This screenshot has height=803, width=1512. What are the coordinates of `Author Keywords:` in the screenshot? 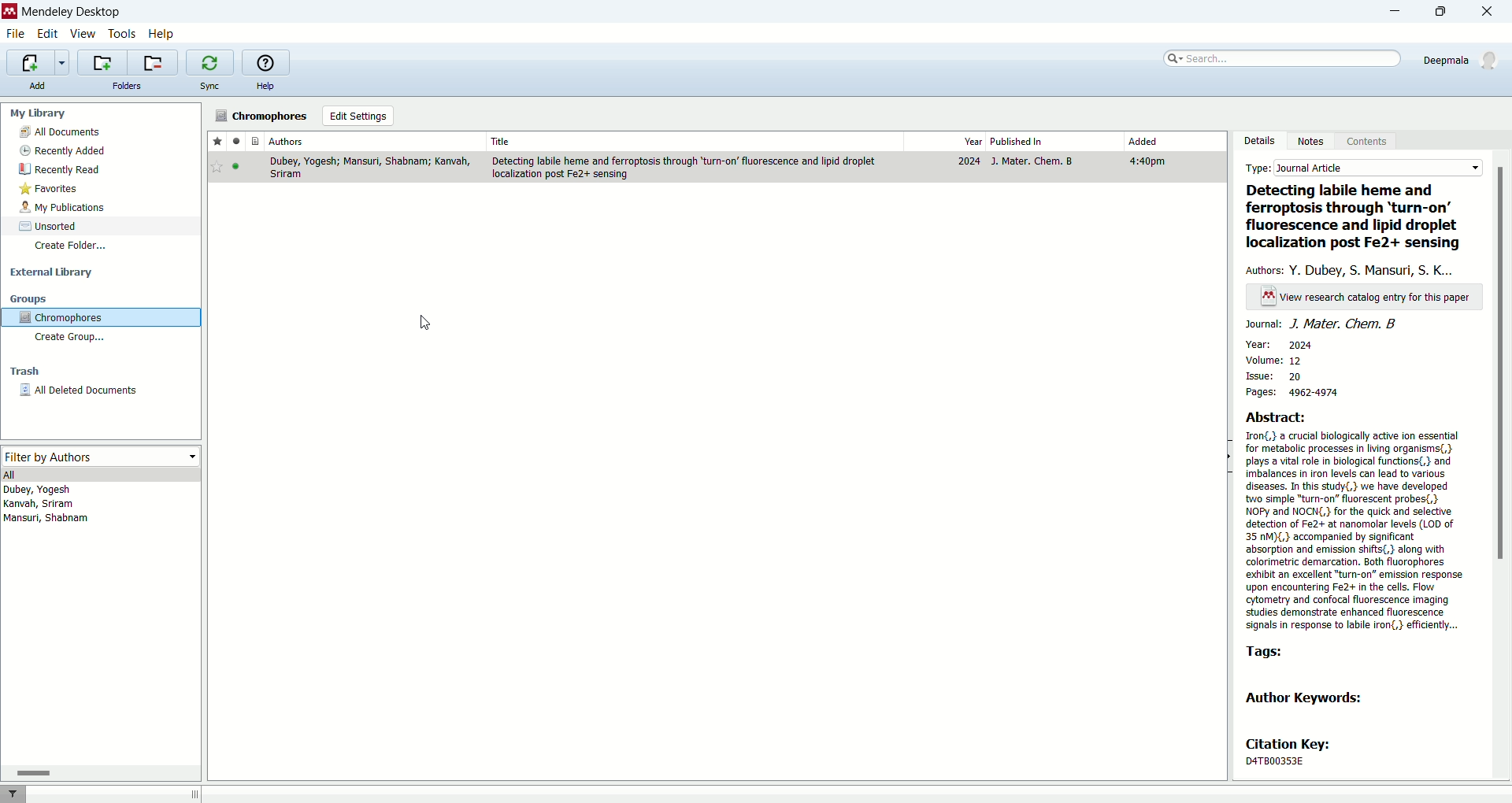 It's located at (1310, 698).